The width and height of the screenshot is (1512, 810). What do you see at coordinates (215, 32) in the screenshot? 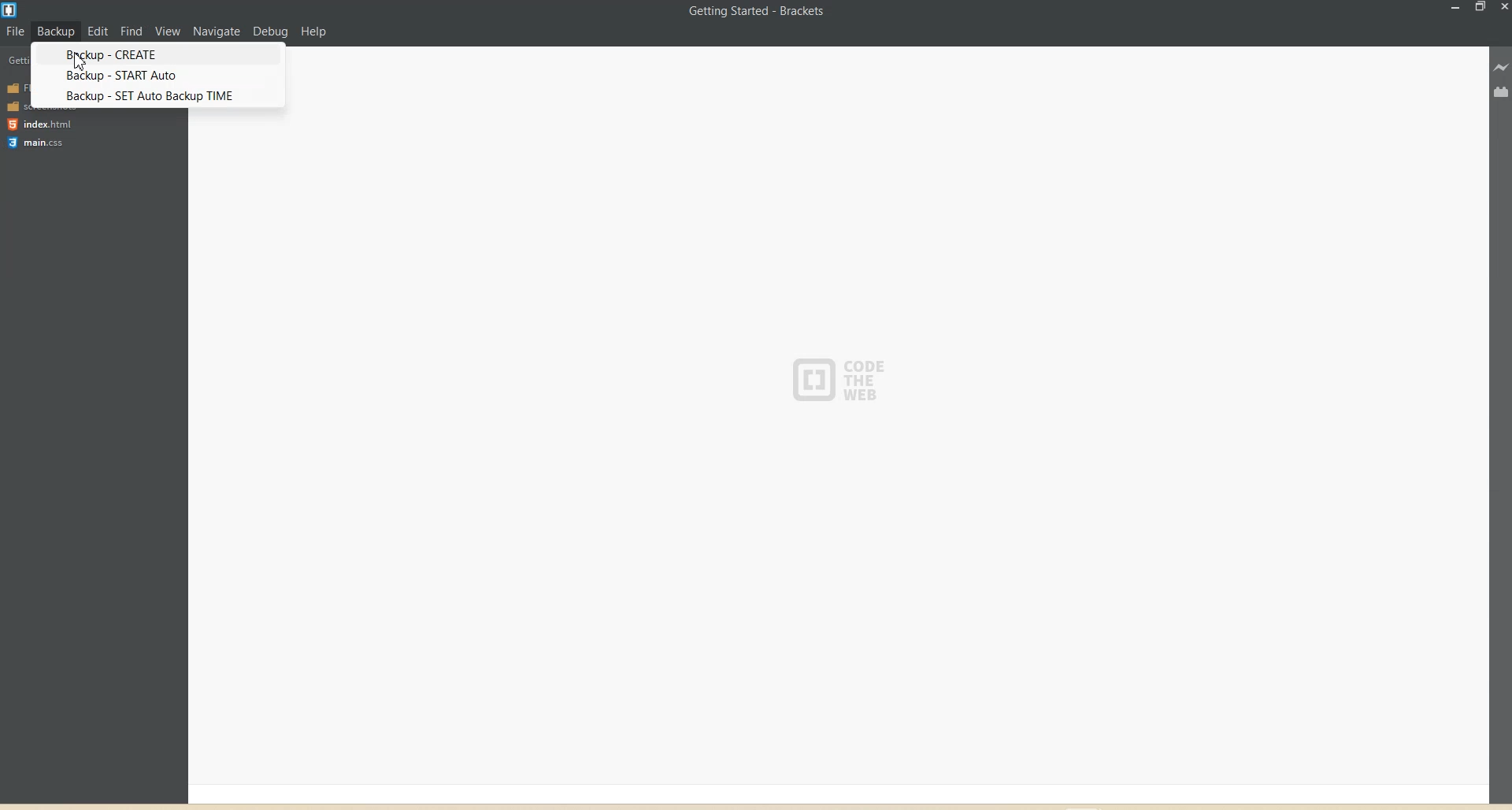
I see `Navigation` at bounding box center [215, 32].